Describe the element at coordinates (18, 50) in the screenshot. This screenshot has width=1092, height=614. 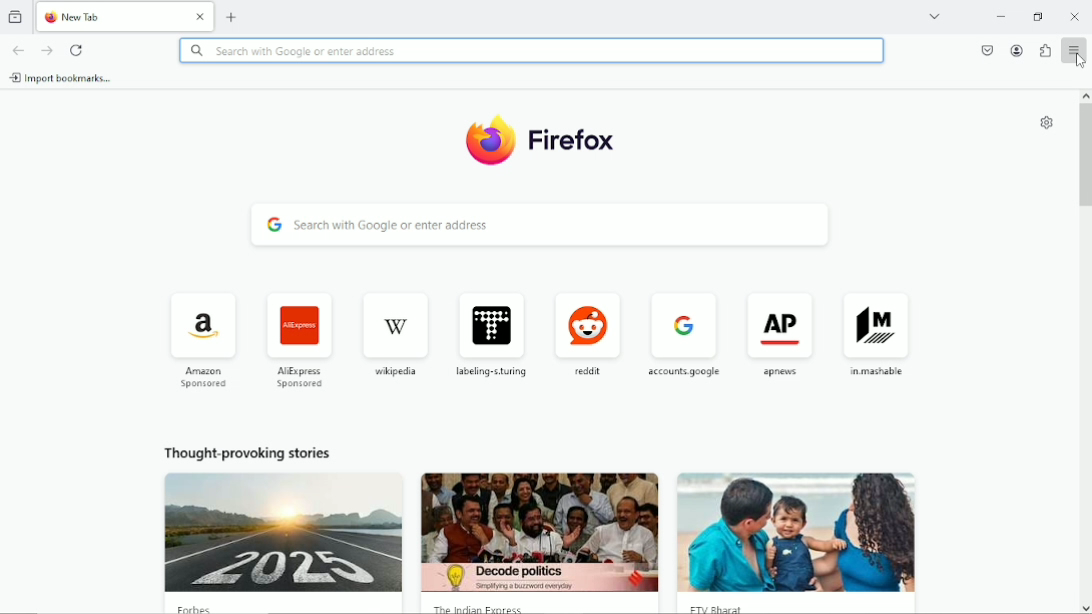
I see `go back` at that location.